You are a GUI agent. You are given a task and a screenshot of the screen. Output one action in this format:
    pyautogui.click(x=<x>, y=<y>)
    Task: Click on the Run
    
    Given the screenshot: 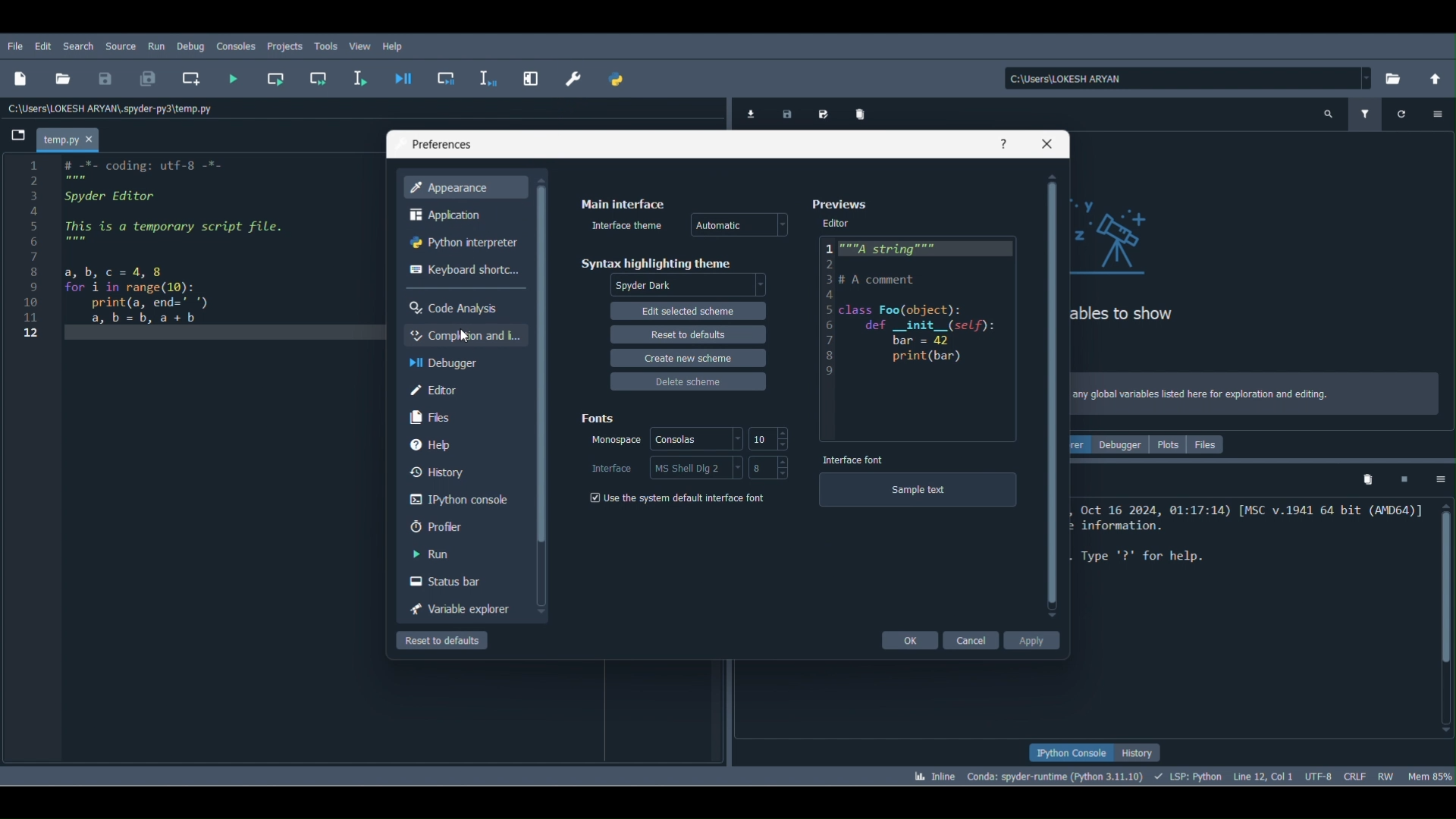 What is the action you would take?
    pyautogui.click(x=158, y=49)
    